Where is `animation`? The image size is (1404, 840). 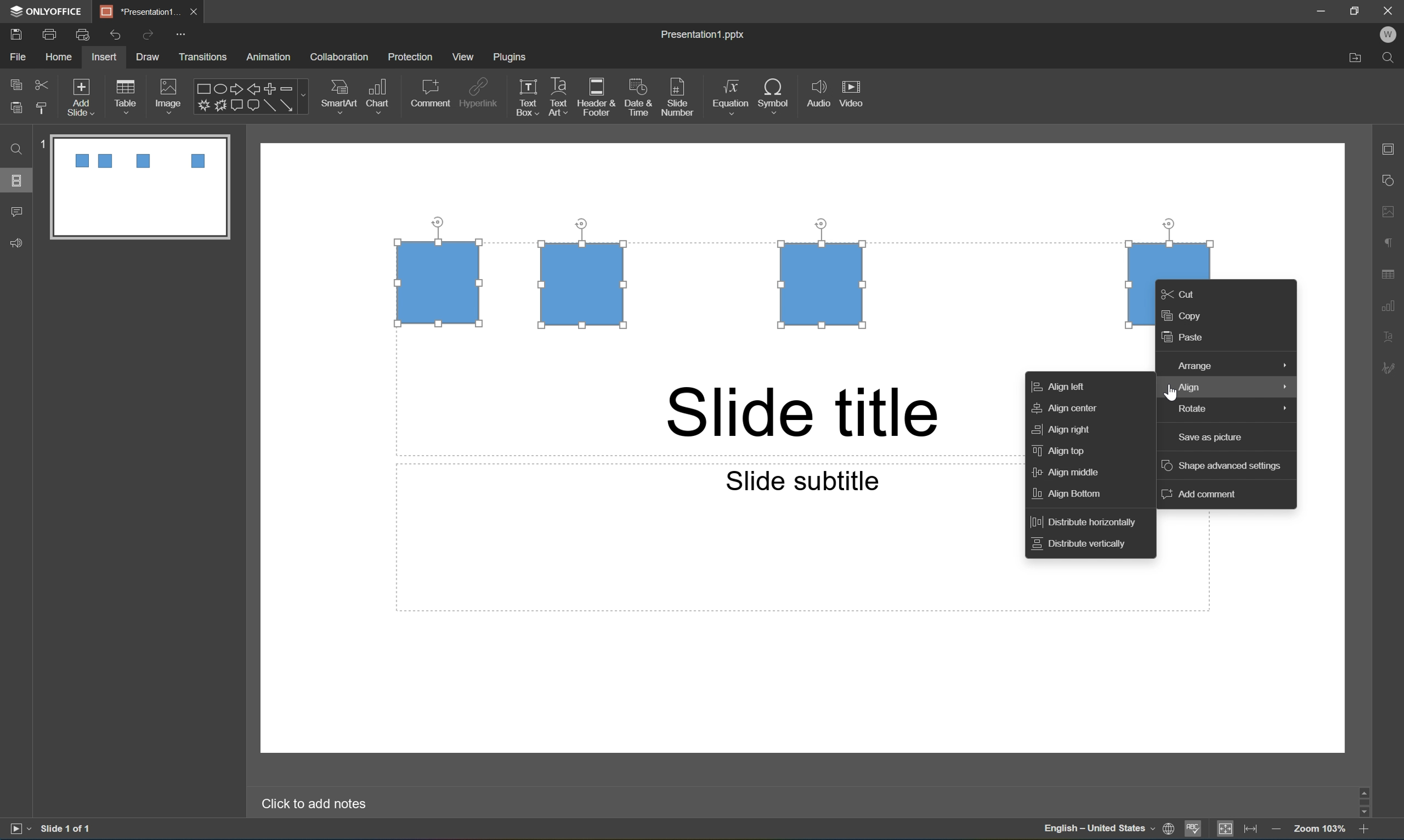
animation is located at coordinates (273, 57).